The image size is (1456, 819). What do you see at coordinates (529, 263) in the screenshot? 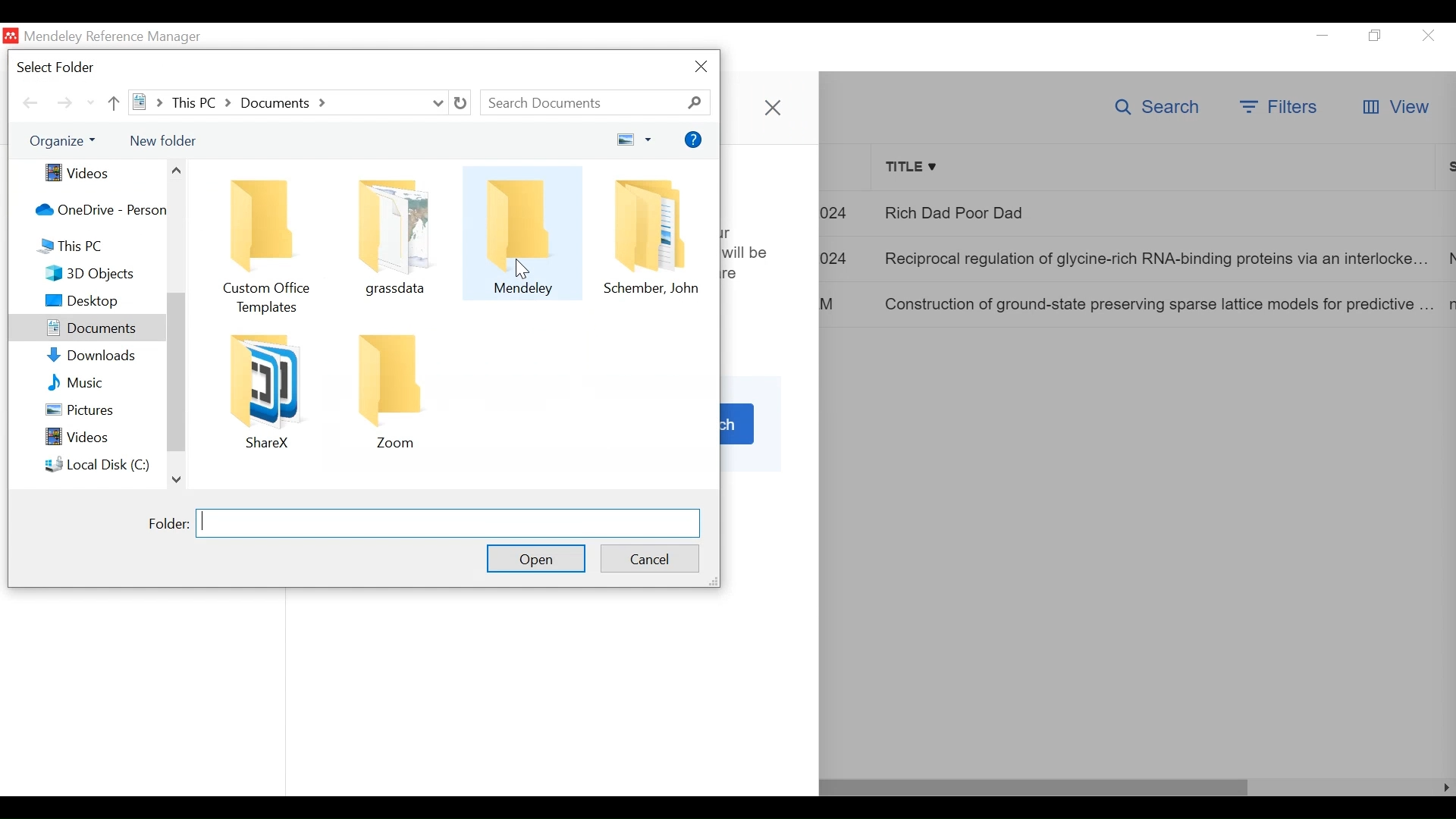
I see `cursor on Mendeley` at bounding box center [529, 263].